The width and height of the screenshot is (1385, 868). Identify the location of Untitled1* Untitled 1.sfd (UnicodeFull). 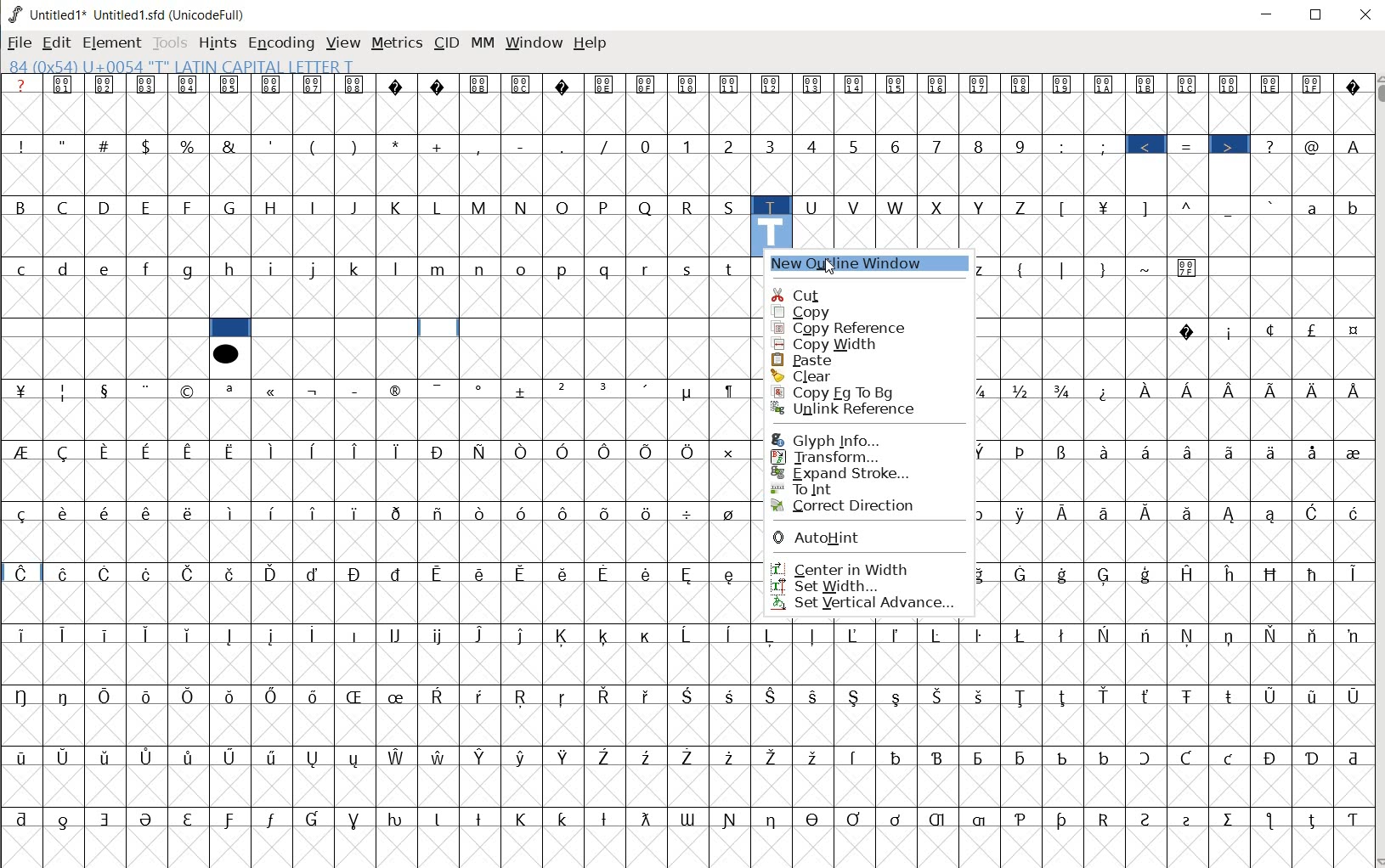
(135, 14).